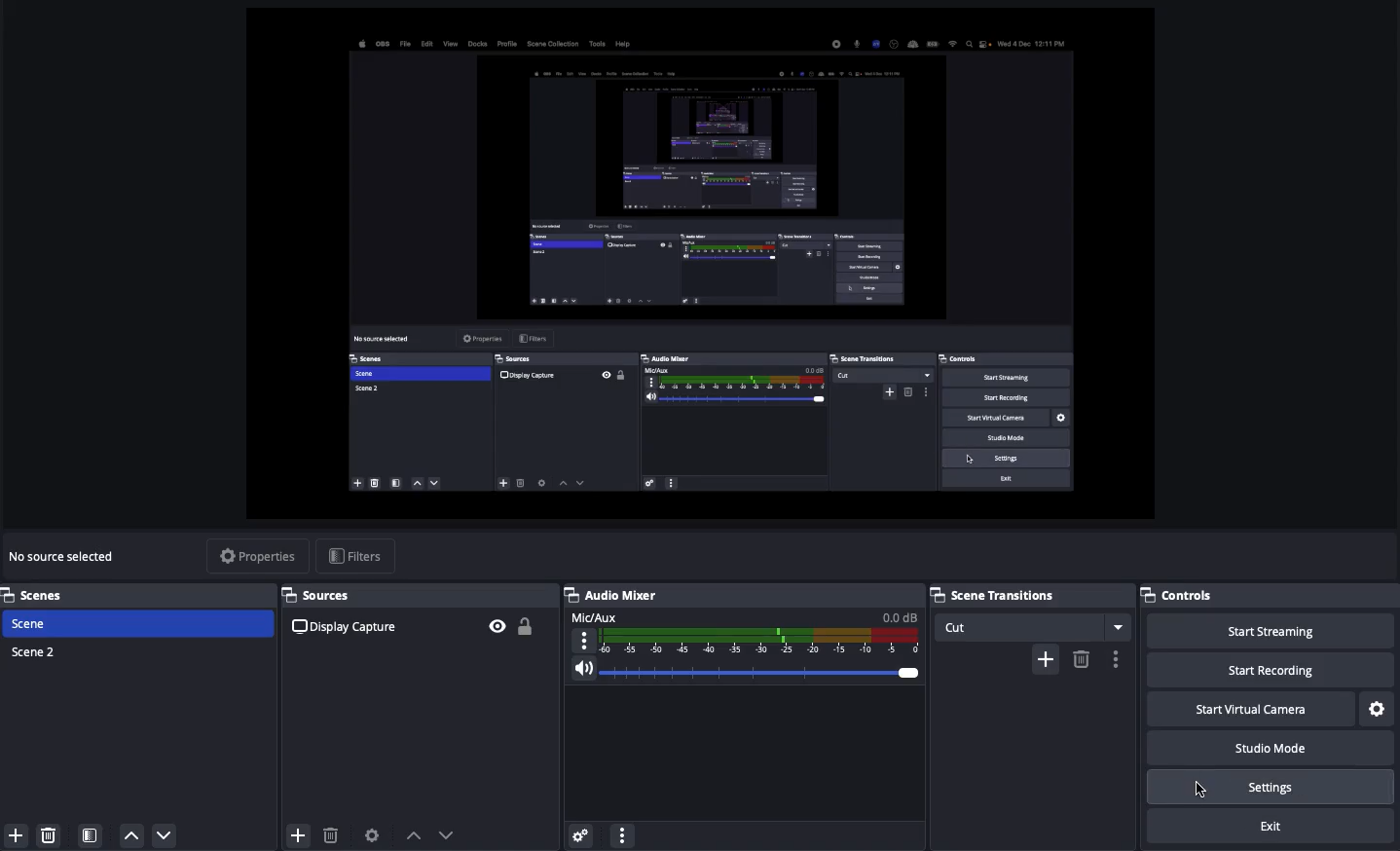 The height and width of the screenshot is (851, 1400). Describe the element at coordinates (52, 834) in the screenshot. I see `Delete` at that location.